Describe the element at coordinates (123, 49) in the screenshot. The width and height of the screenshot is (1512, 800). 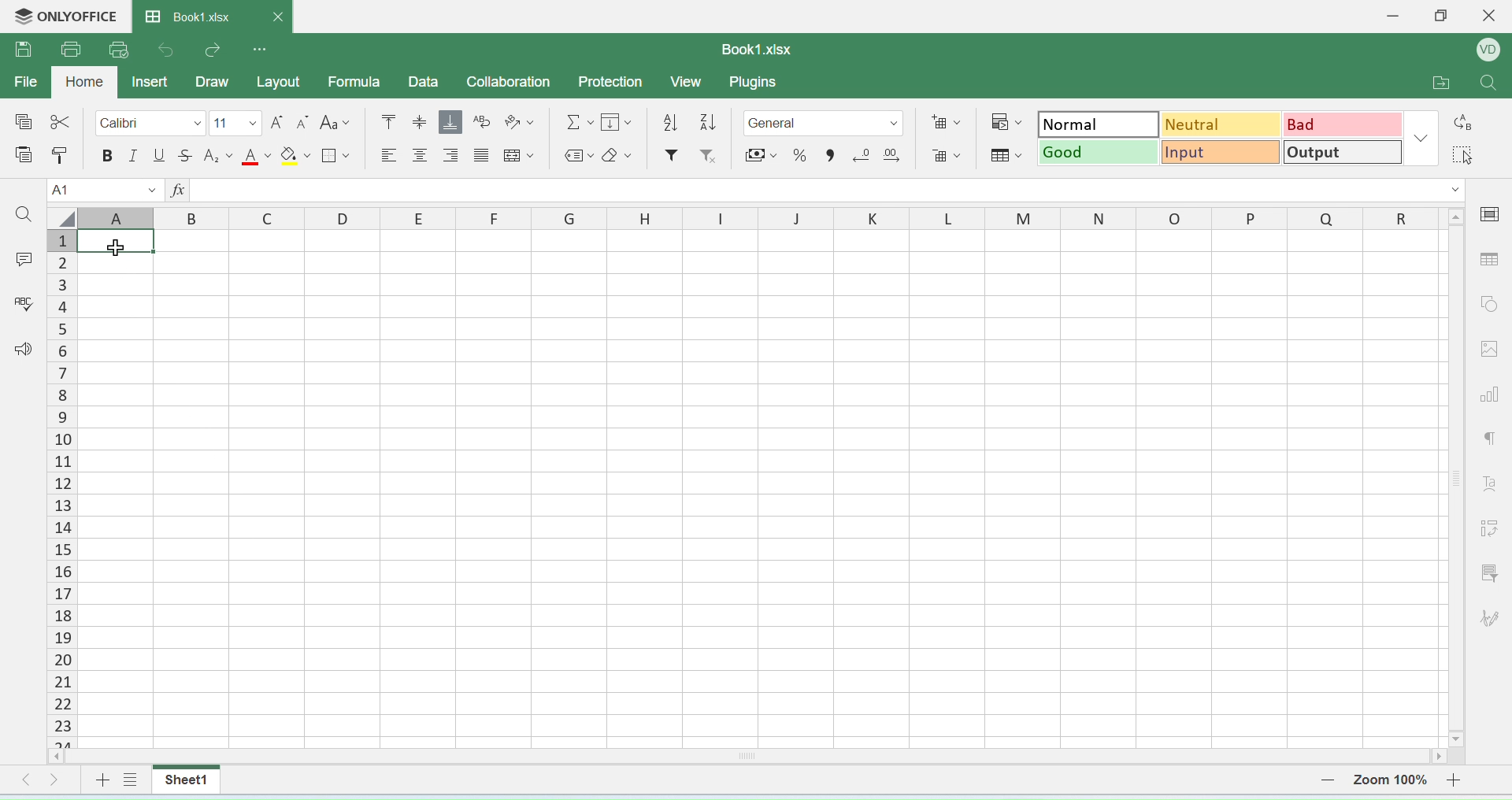
I see `quick print` at that location.